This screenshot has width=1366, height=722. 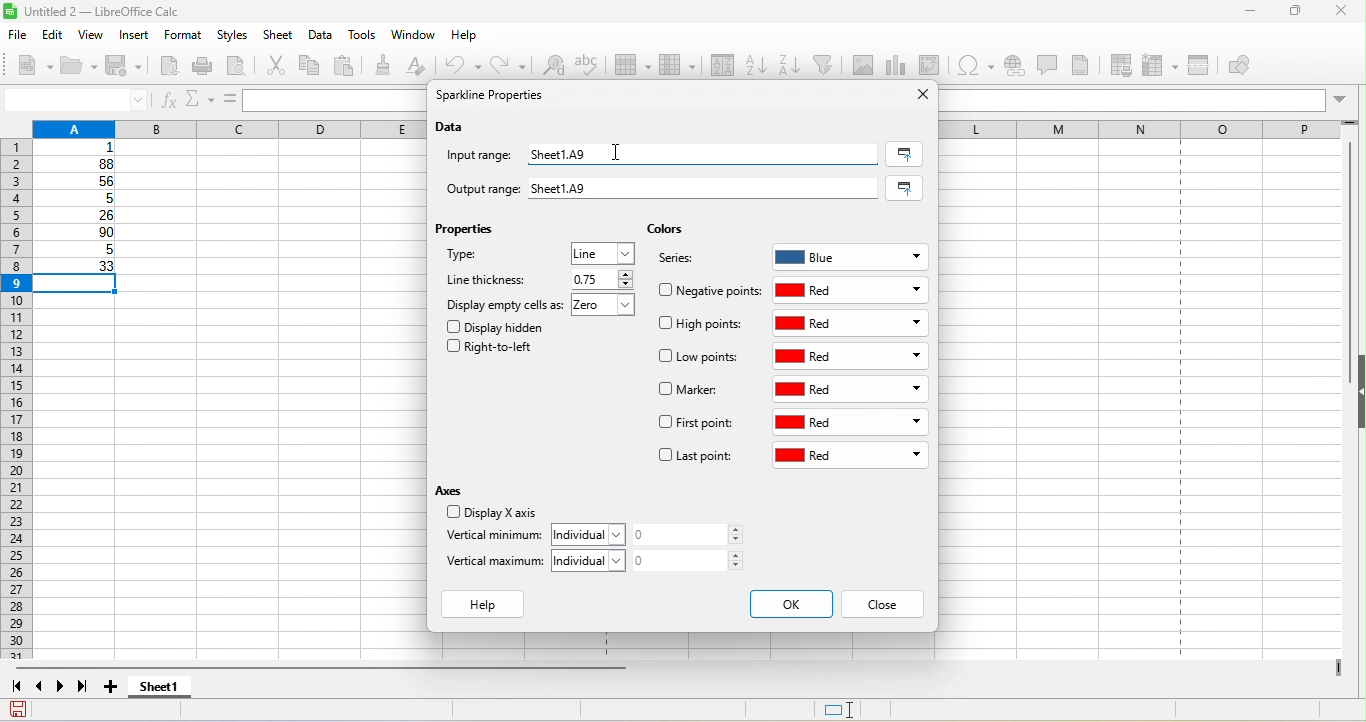 What do you see at coordinates (696, 425) in the screenshot?
I see `first point` at bounding box center [696, 425].